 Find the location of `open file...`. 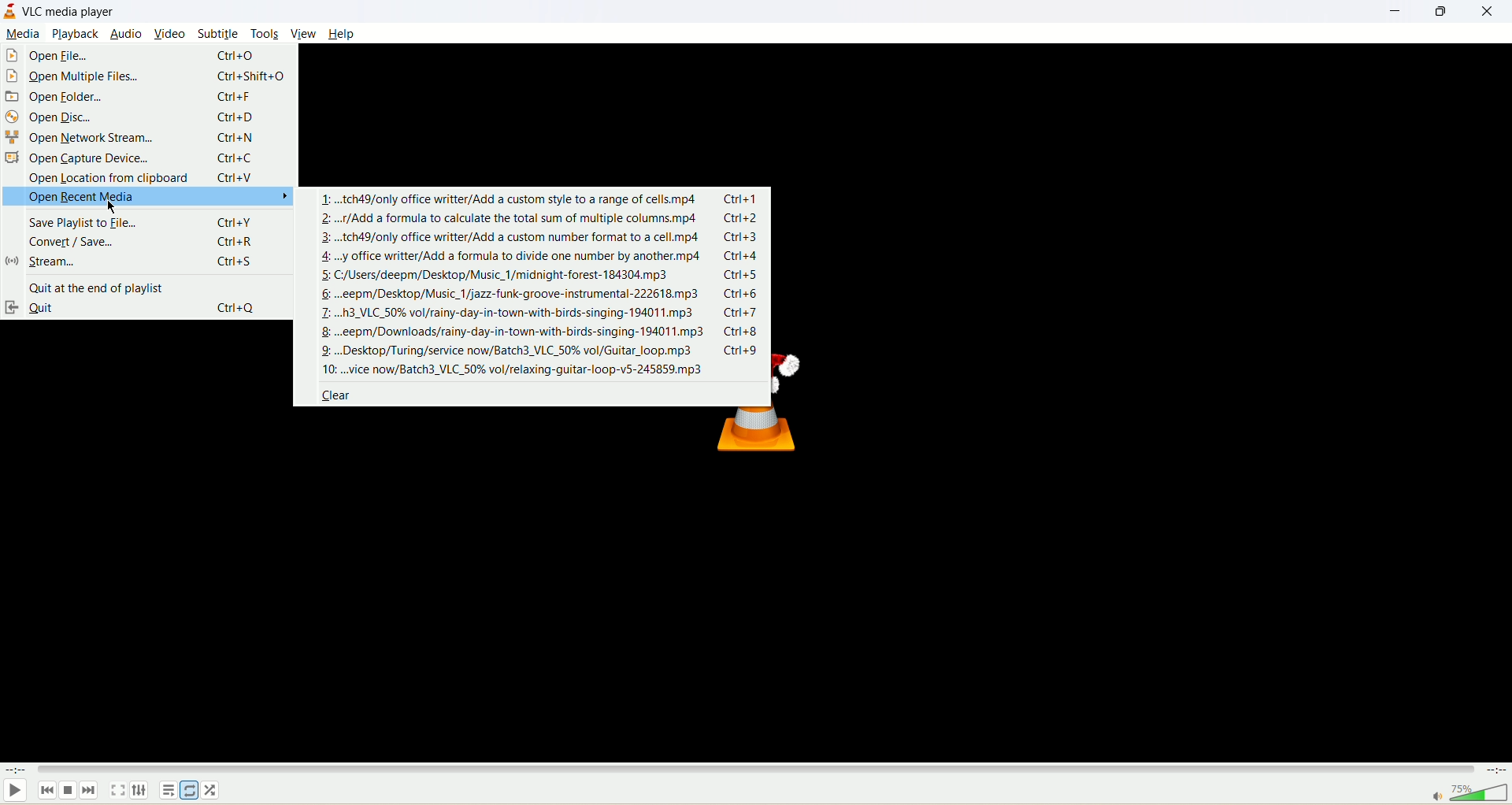

open file... is located at coordinates (49, 56).